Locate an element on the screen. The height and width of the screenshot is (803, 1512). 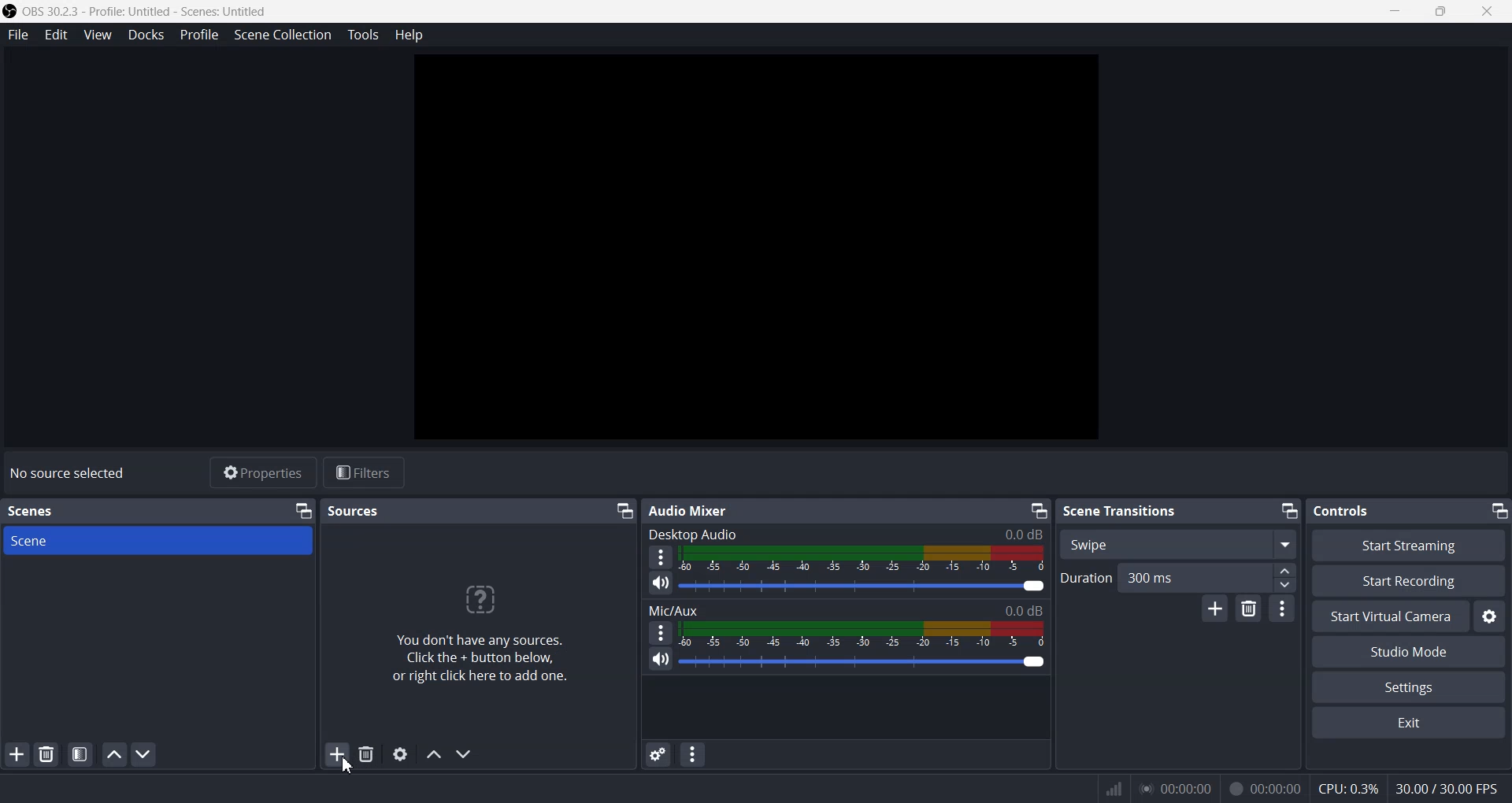
‘OBS 30.2.3 - Profile: Untitled - Scenes: Untitled is located at coordinates (137, 11).